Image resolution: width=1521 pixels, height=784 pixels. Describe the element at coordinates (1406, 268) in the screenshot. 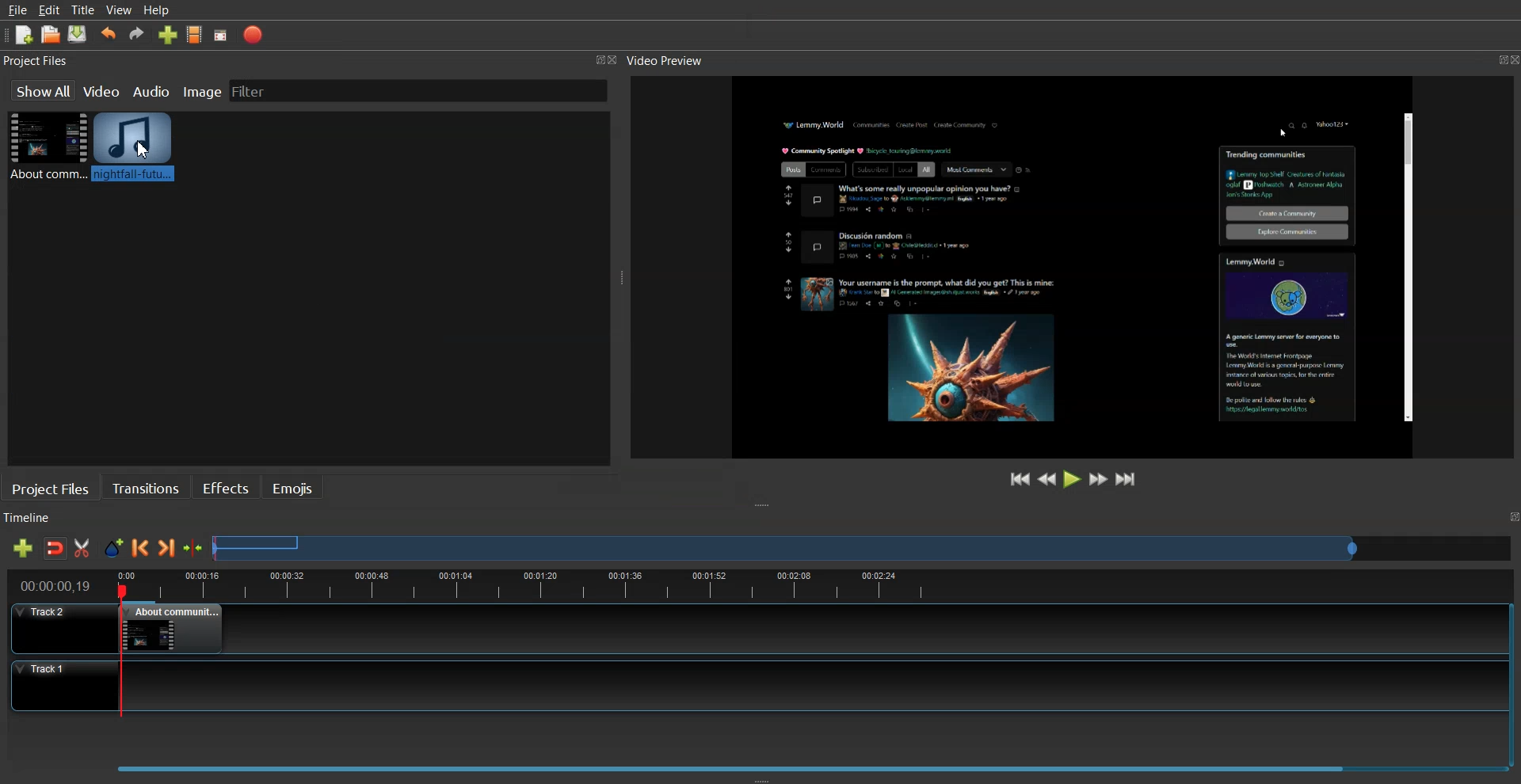

I see `Scrollbar` at that location.